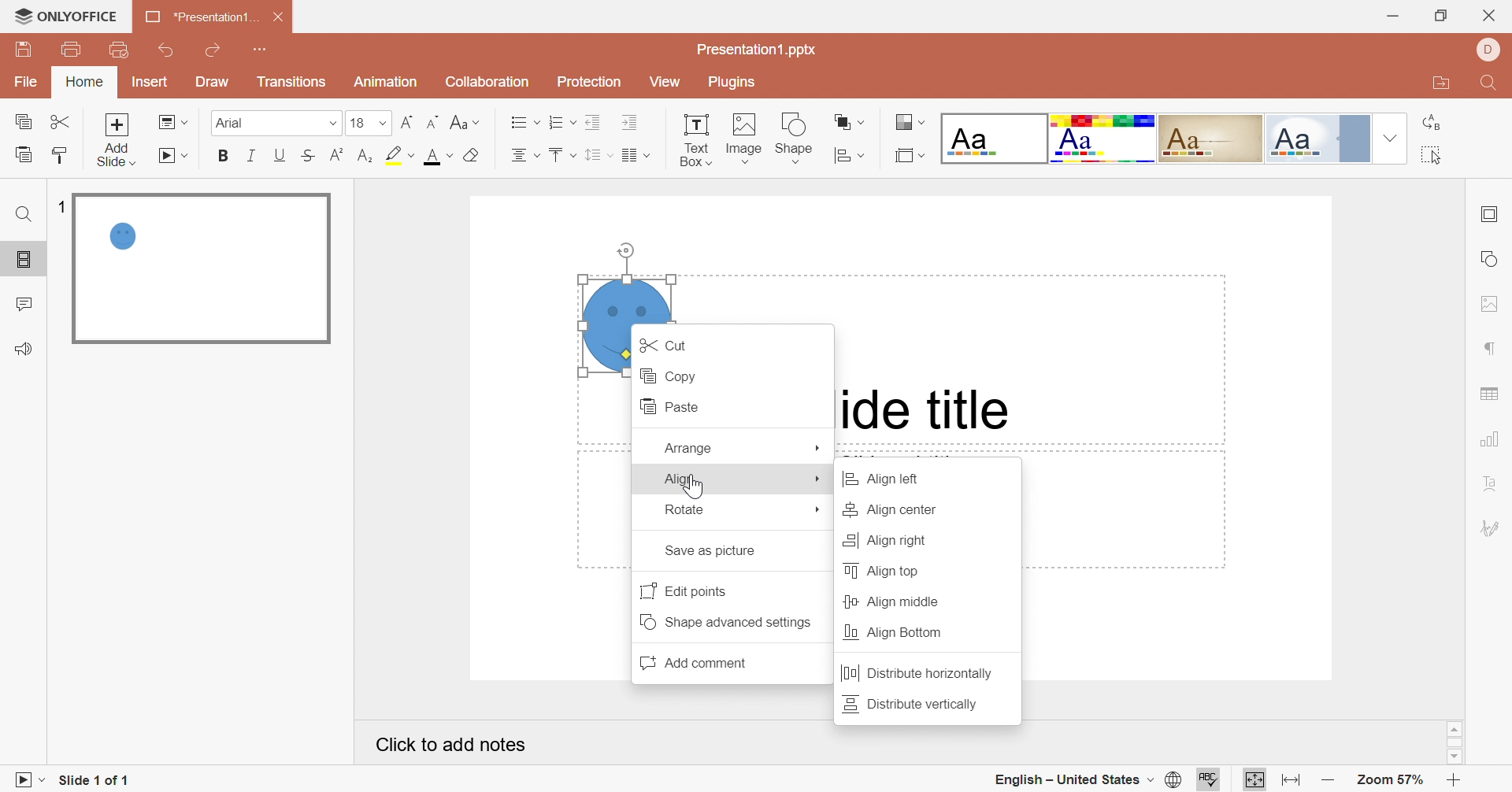  Describe the element at coordinates (631, 124) in the screenshot. I see `Increase Indent` at that location.